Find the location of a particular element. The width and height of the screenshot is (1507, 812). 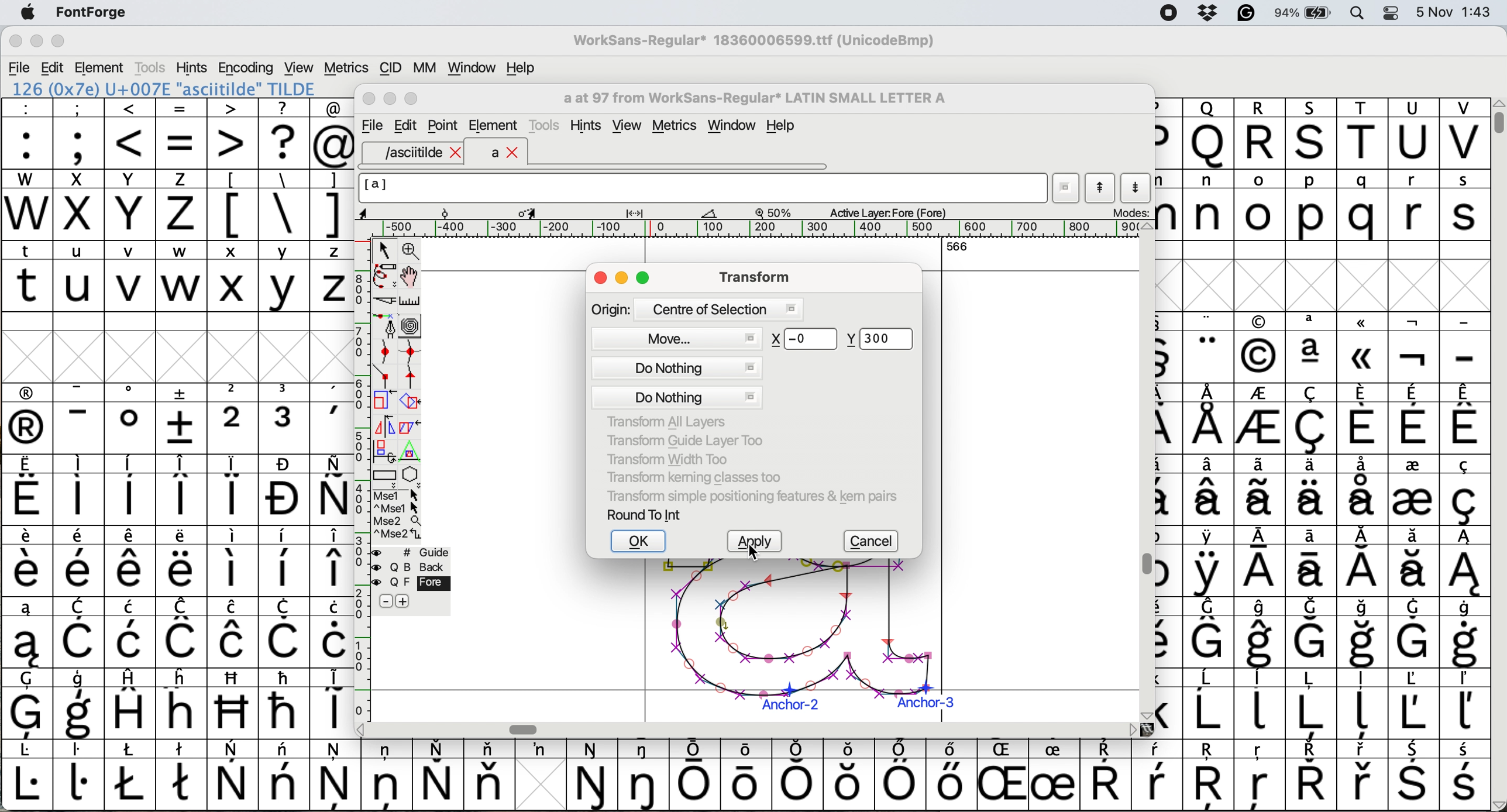

symbol is located at coordinates (336, 774).